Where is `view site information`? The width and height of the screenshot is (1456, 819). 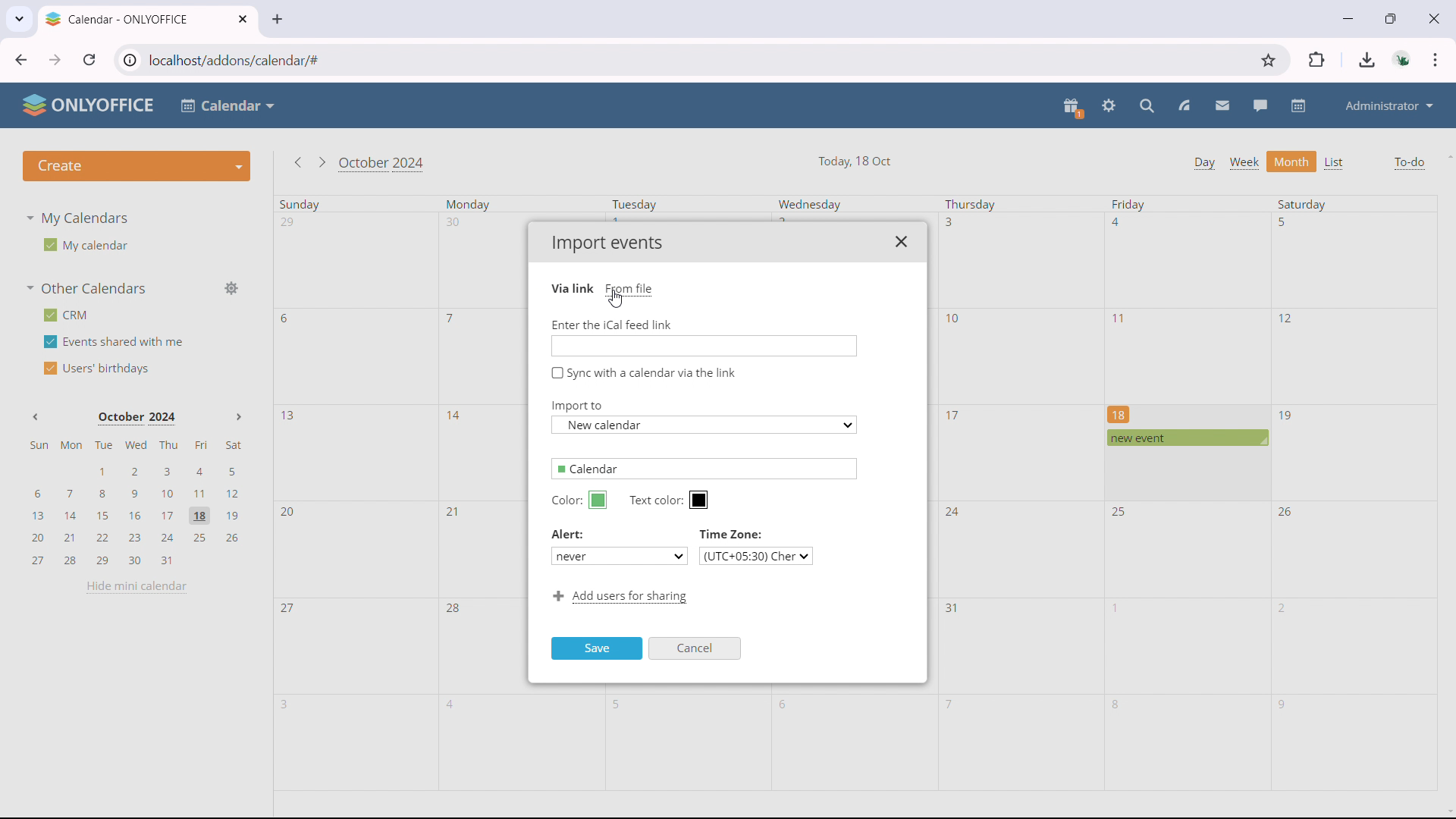
view site information is located at coordinates (128, 60).